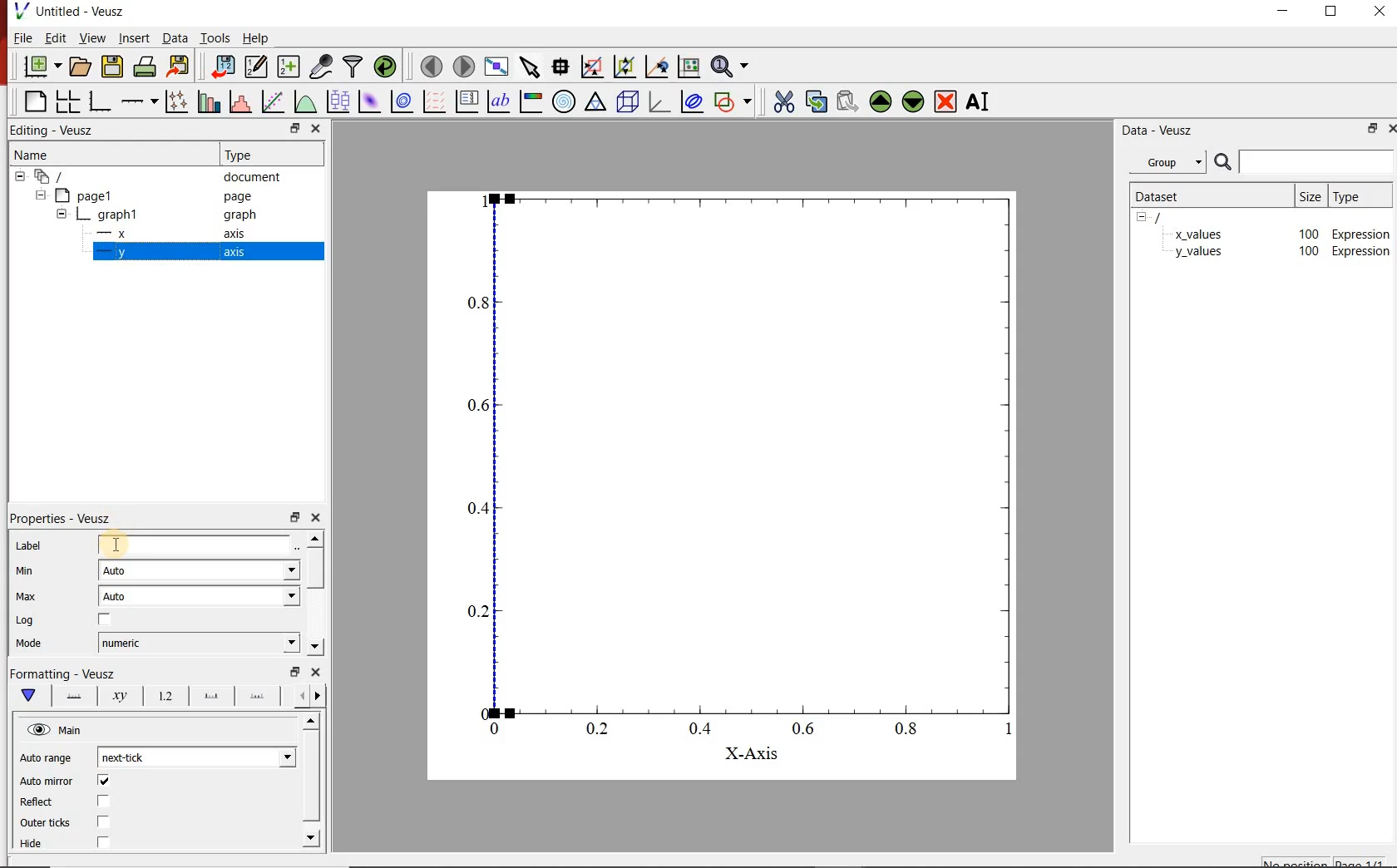 This screenshot has width=1397, height=868. What do you see at coordinates (40, 195) in the screenshot?
I see `hide` at bounding box center [40, 195].